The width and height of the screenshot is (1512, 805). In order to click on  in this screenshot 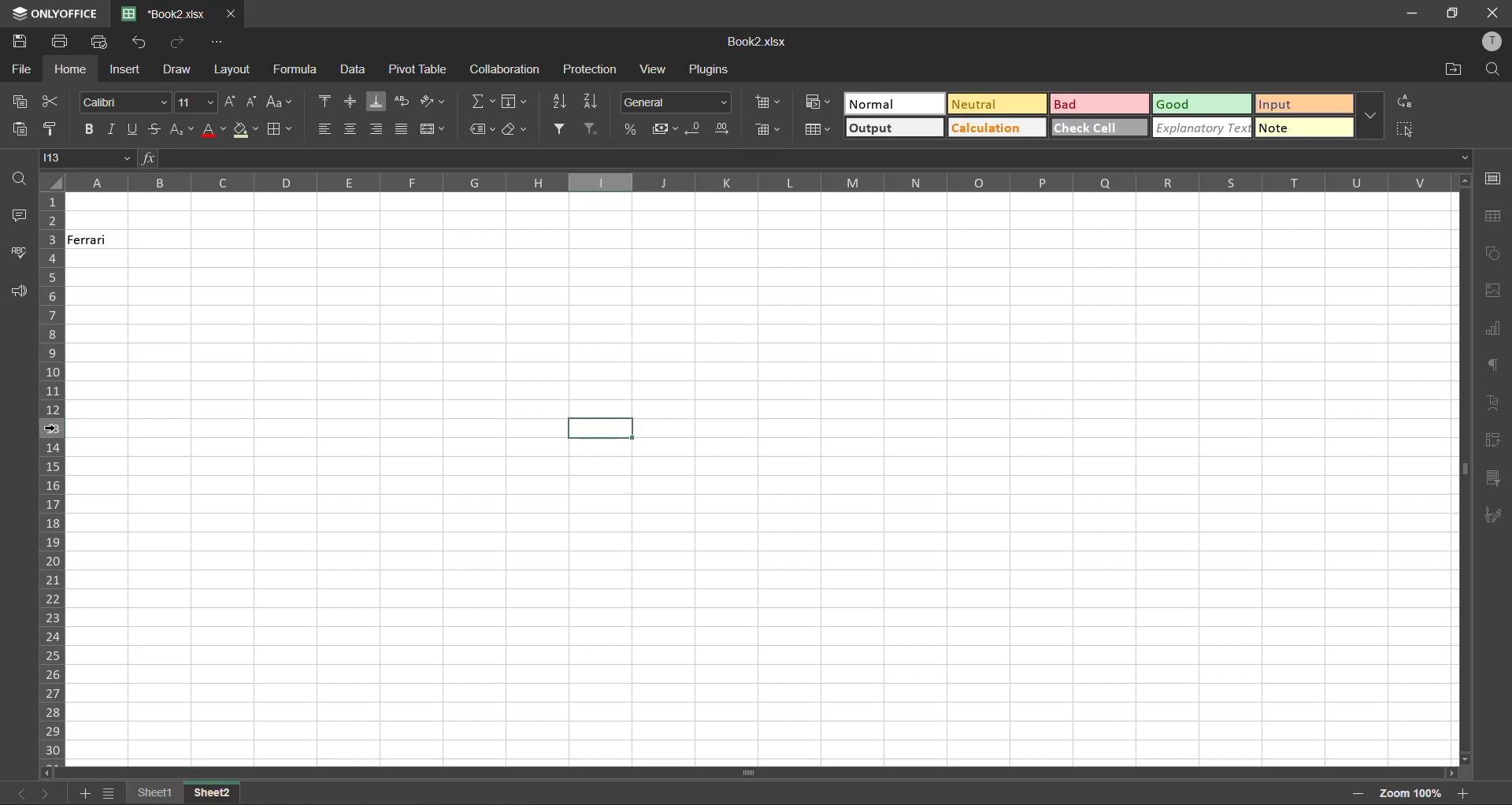, I will do `click(213, 794)`.